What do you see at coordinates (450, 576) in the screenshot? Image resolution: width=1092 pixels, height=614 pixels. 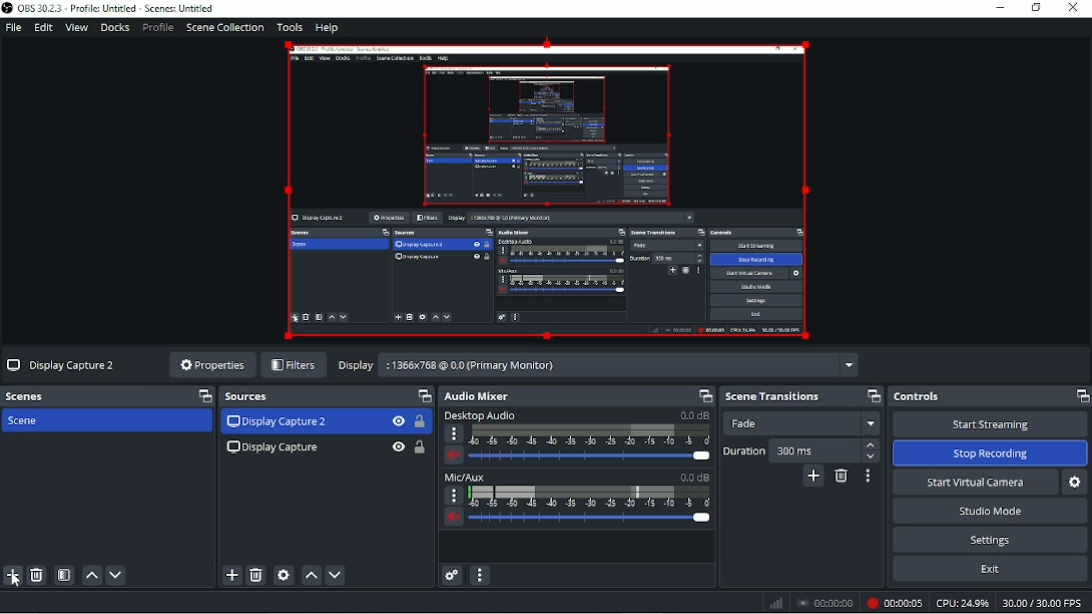 I see `Advanced audio properties` at bounding box center [450, 576].